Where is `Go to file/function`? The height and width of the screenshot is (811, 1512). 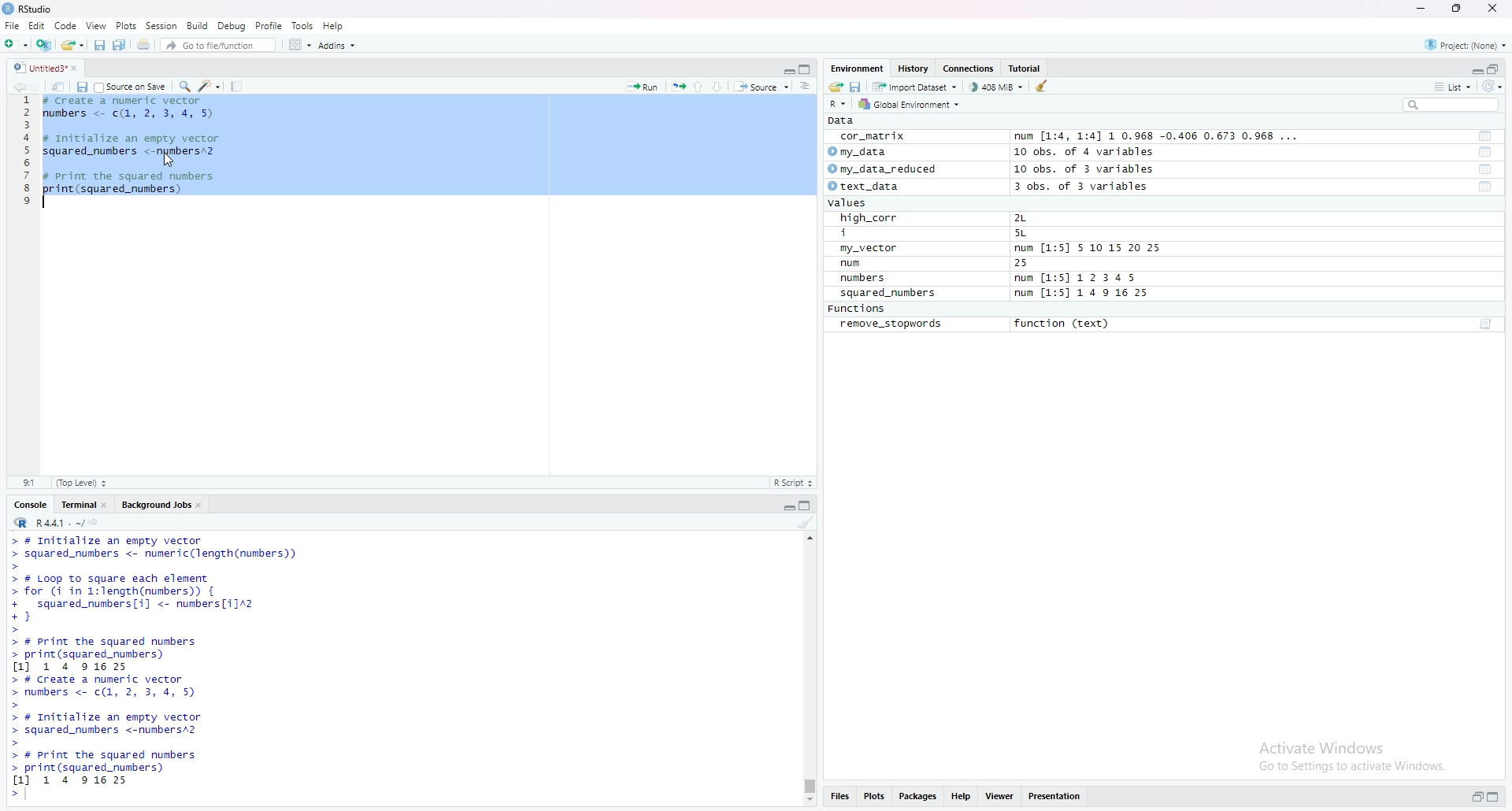 Go to file/function is located at coordinates (217, 43).